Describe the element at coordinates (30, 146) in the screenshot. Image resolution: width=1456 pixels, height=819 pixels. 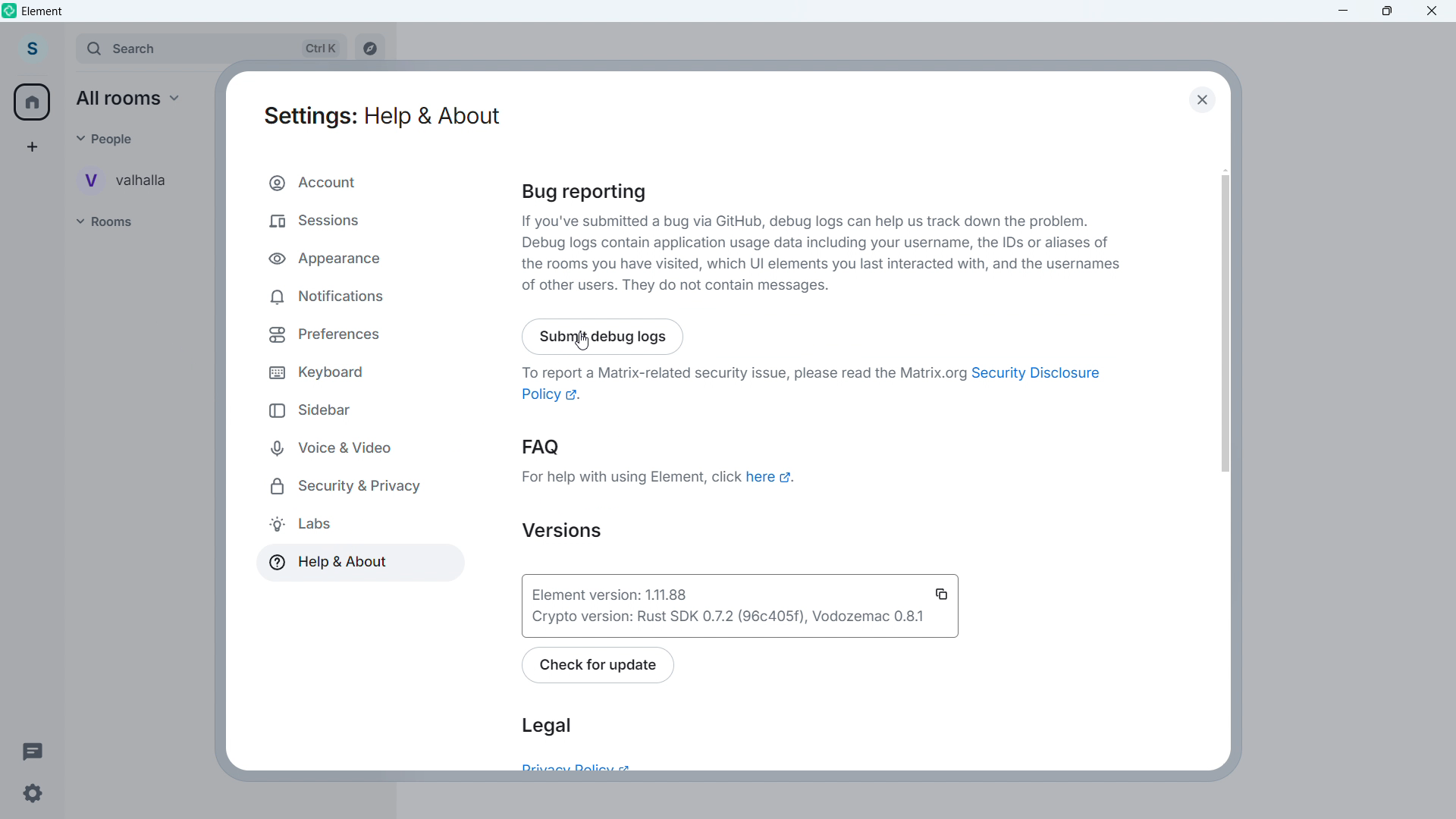
I see `Add space ` at that location.